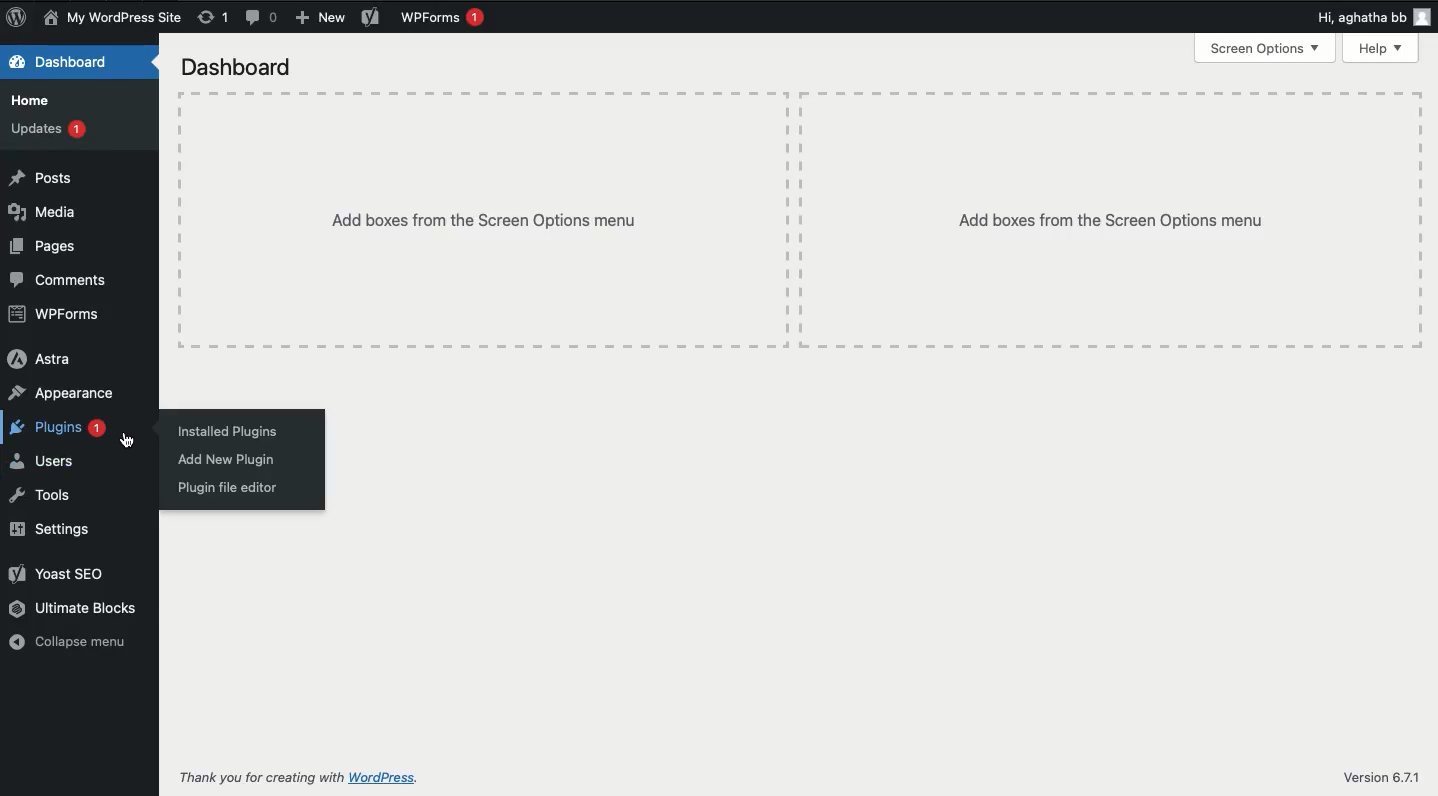 The height and width of the screenshot is (796, 1438). Describe the element at coordinates (43, 246) in the screenshot. I see `Pages` at that location.